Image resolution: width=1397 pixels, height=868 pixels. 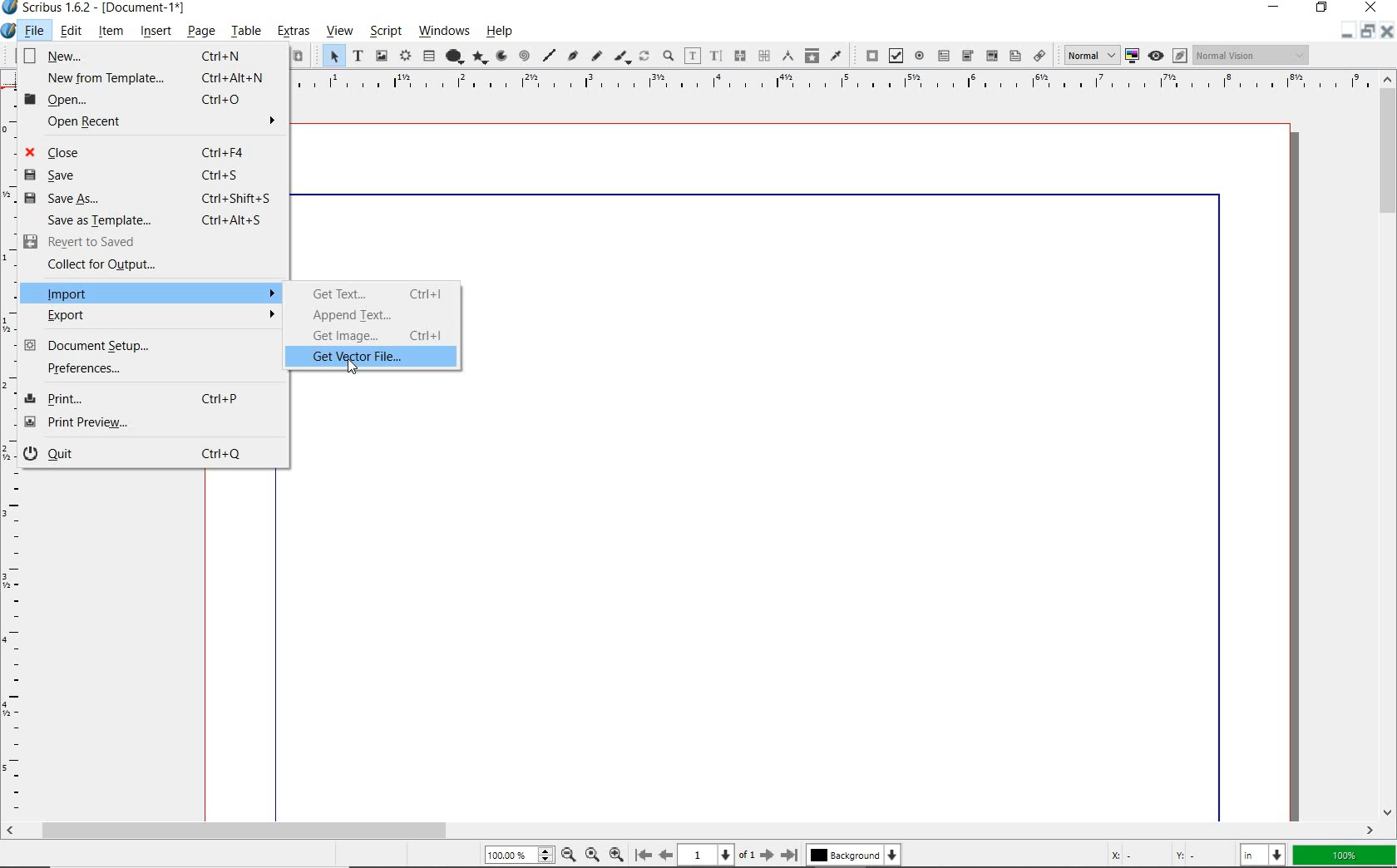 What do you see at coordinates (573, 56) in the screenshot?
I see `Bezier curve` at bounding box center [573, 56].